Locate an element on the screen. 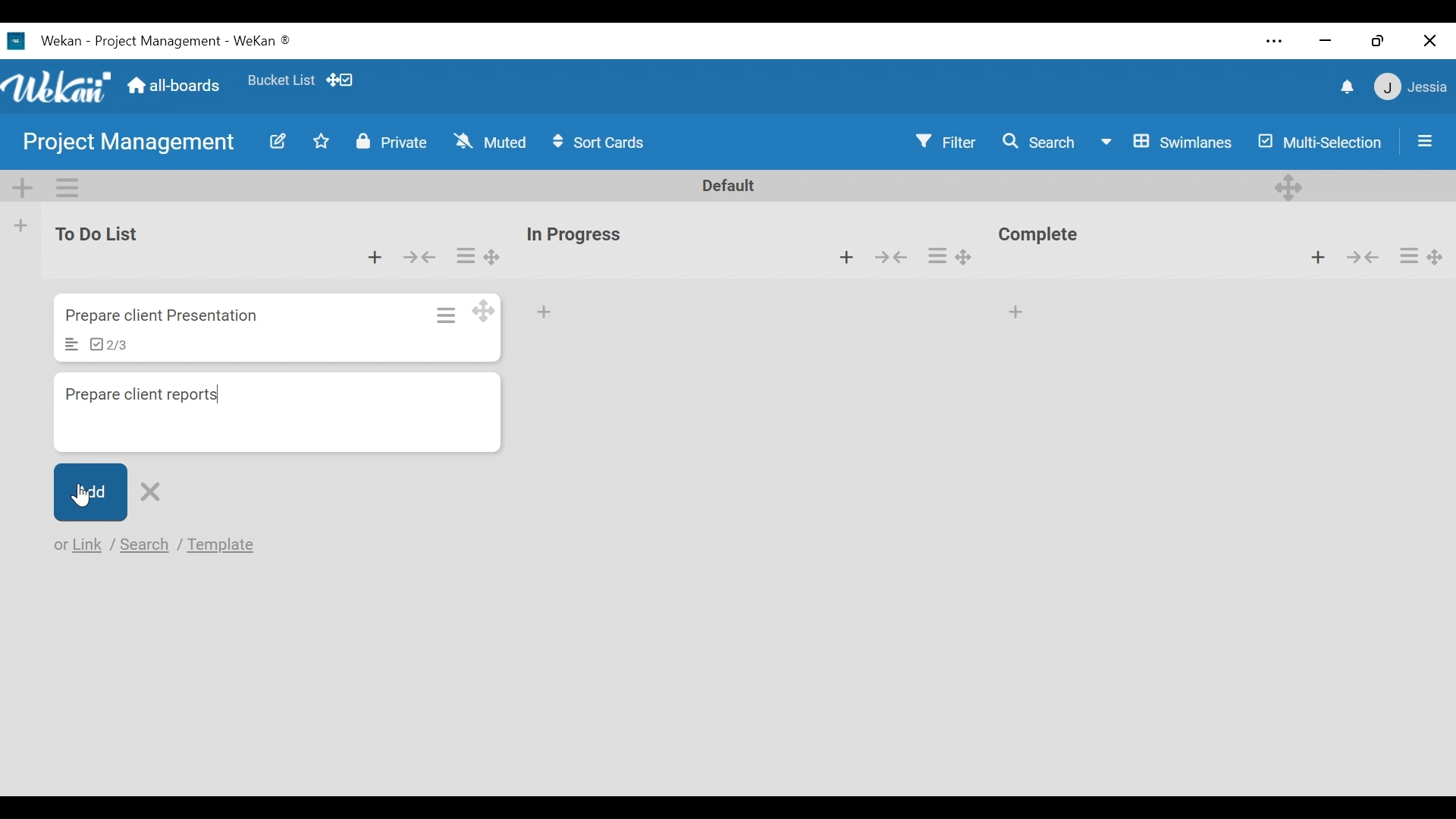  Jessica is located at coordinates (1408, 89).